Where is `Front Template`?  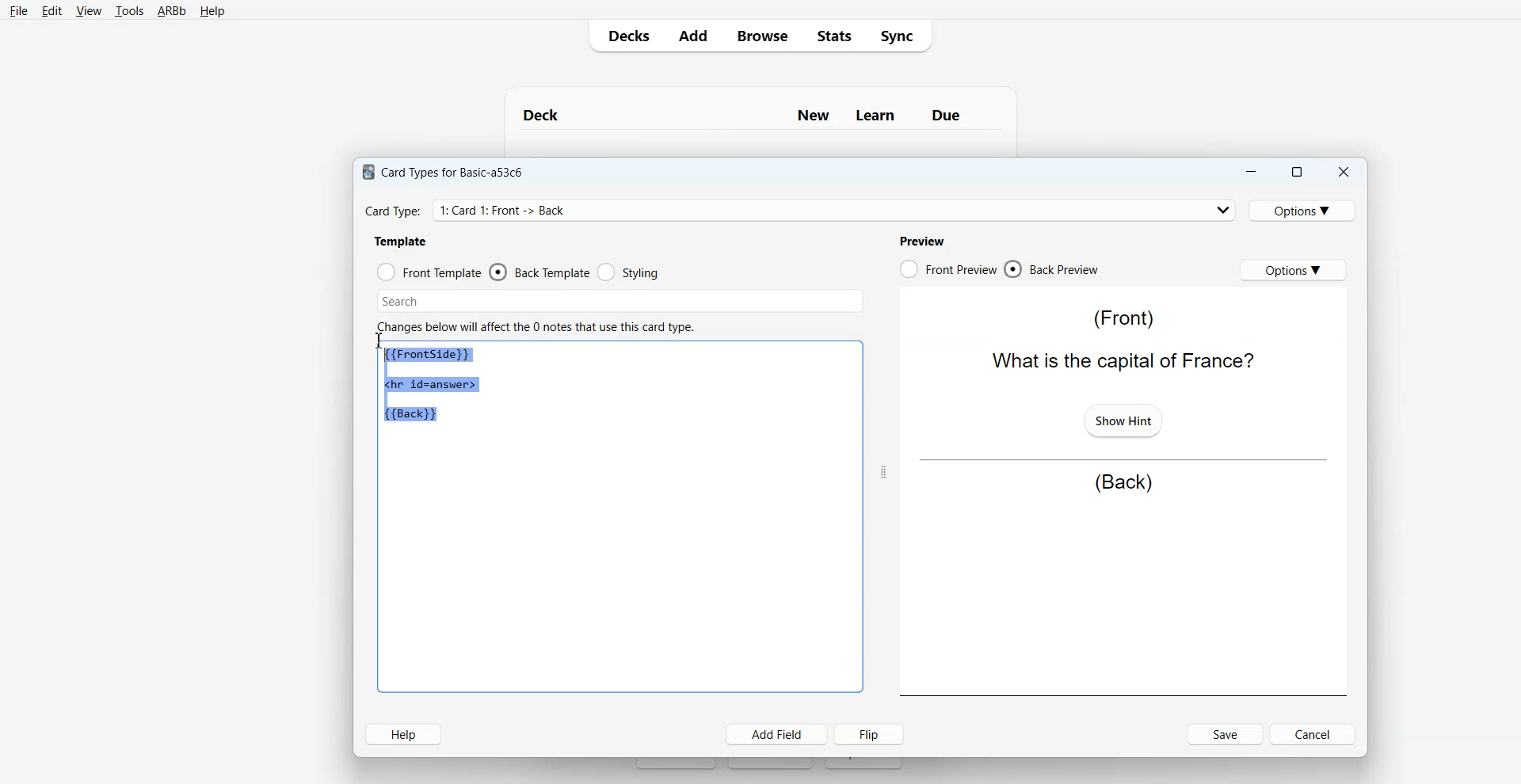 Front Template is located at coordinates (429, 272).